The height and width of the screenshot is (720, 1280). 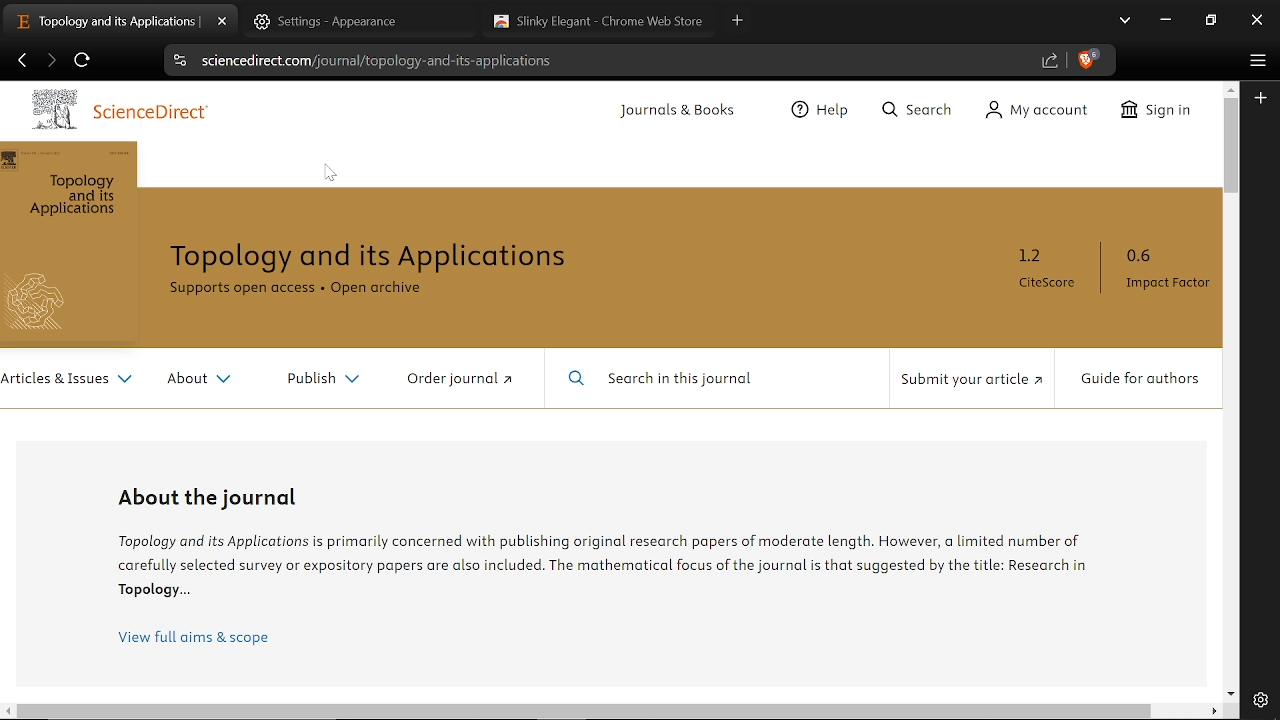 What do you see at coordinates (585, 711) in the screenshot?
I see `Horizontal scrollbar` at bounding box center [585, 711].